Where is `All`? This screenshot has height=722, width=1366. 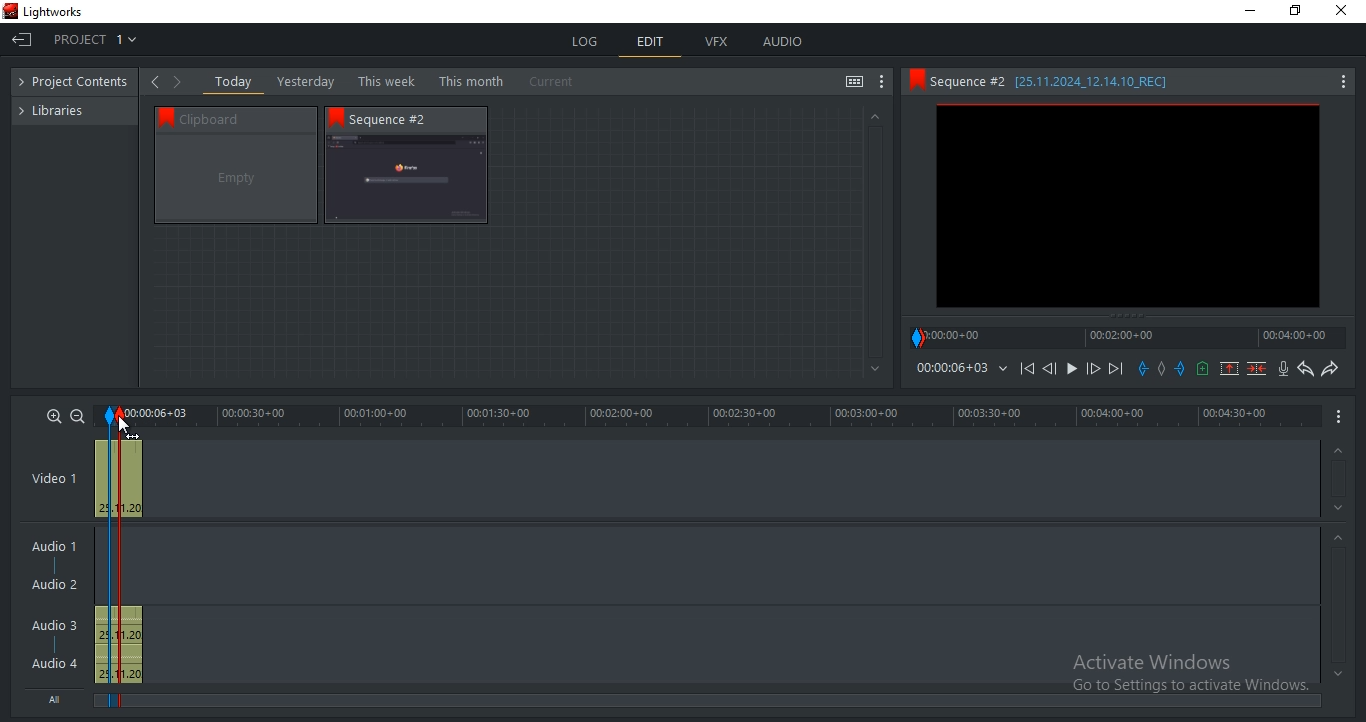 All is located at coordinates (59, 697).